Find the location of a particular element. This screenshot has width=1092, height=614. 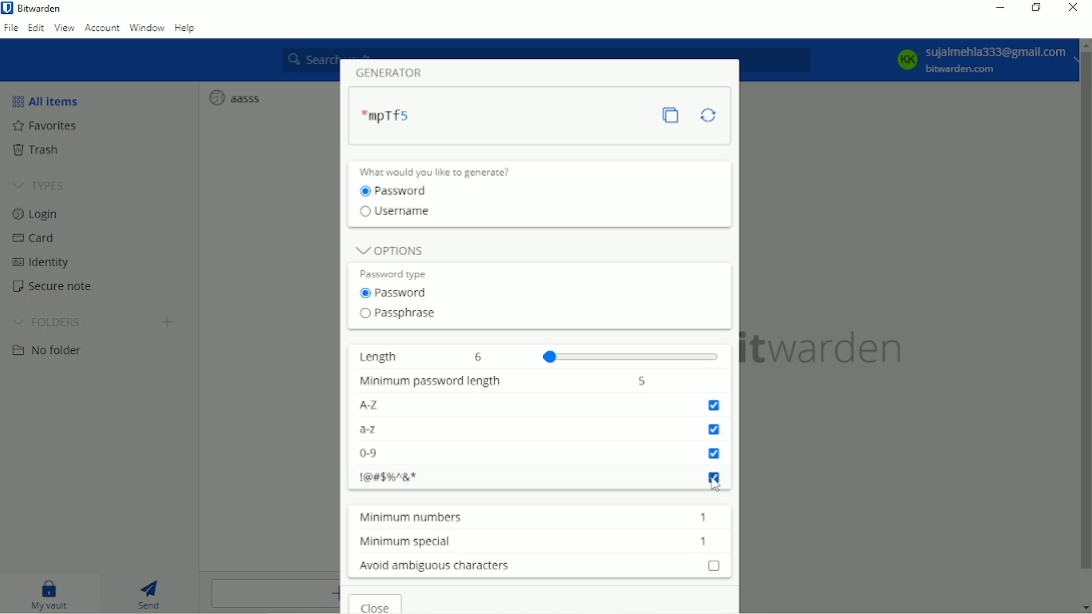

a-z is located at coordinates (384, 430).